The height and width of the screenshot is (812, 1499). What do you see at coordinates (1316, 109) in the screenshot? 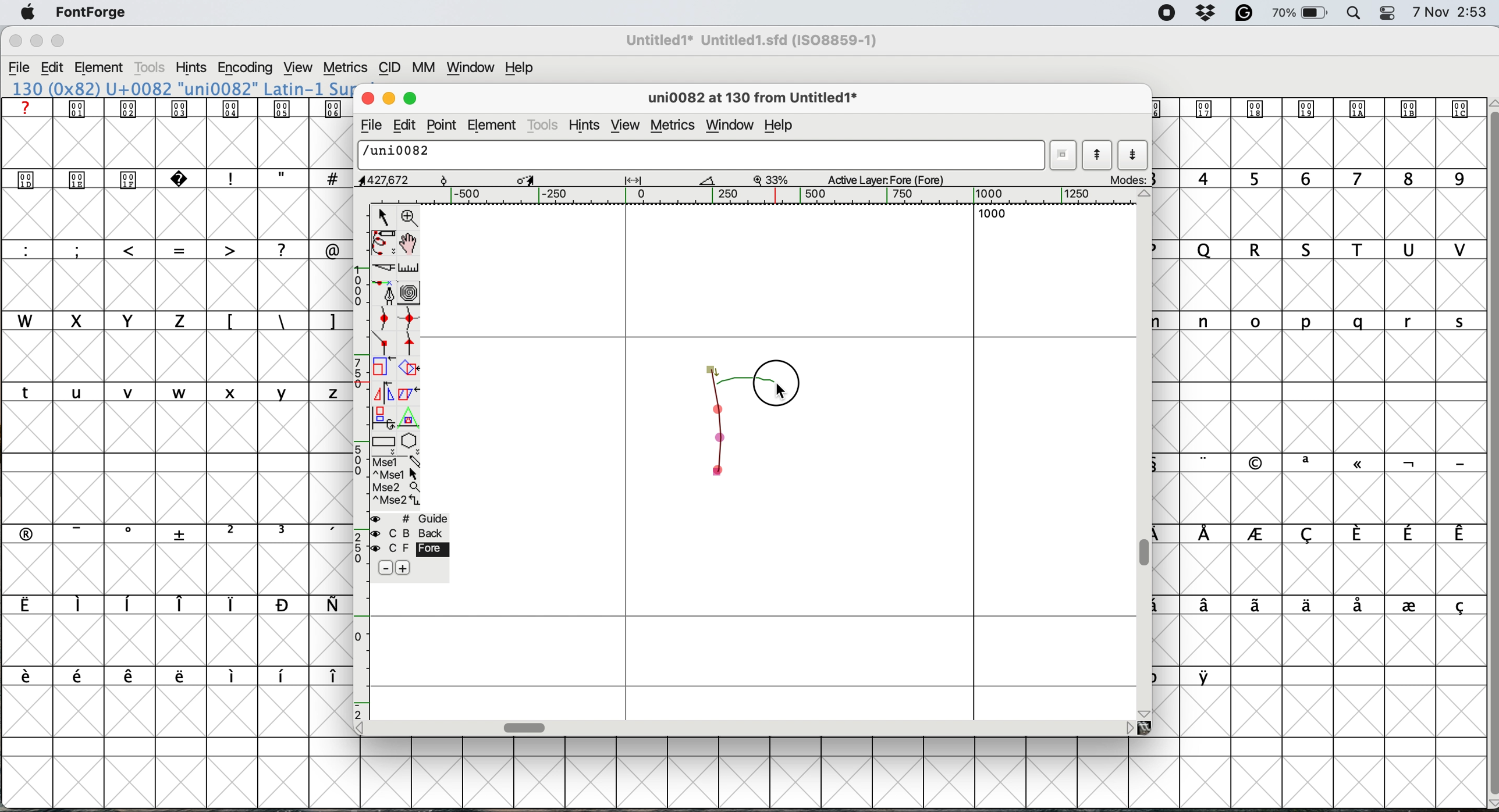
I see `special icons` at bounding box center [1316, 109].